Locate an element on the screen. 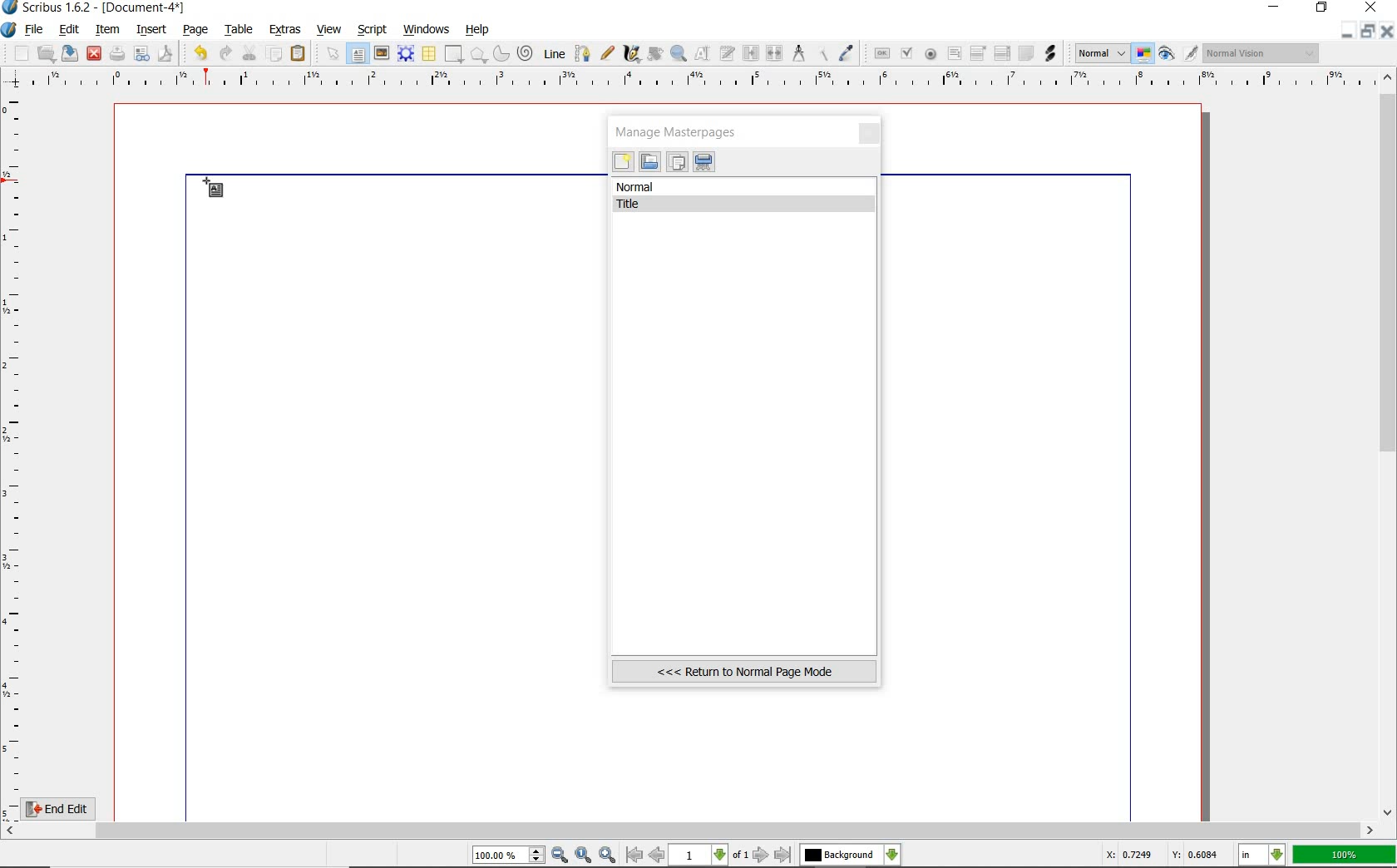  close is located at coordinates (94, 52).